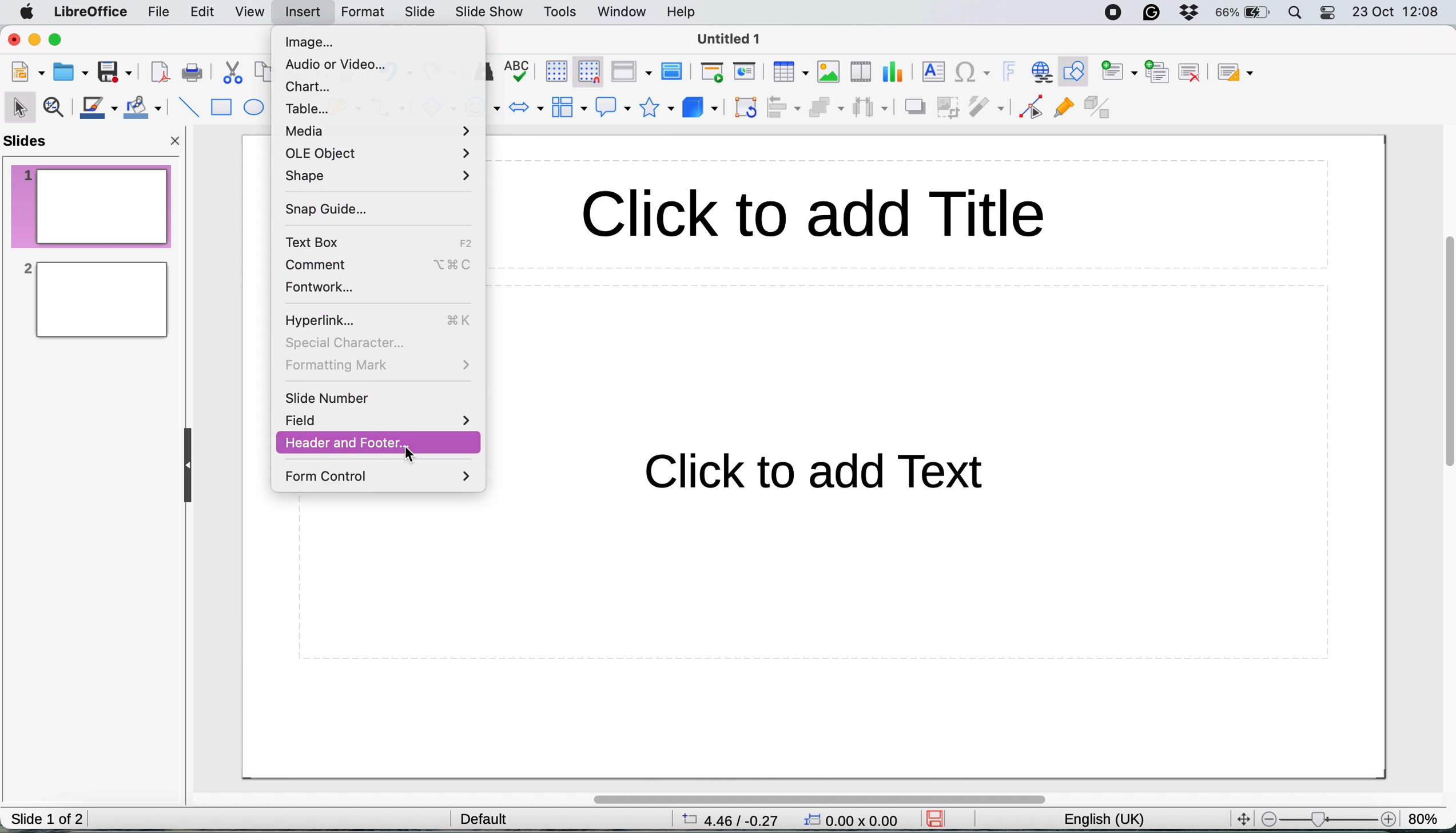  Describe the element at coordinates (409, 452) in the screenshot. I see `cursor` at that location.